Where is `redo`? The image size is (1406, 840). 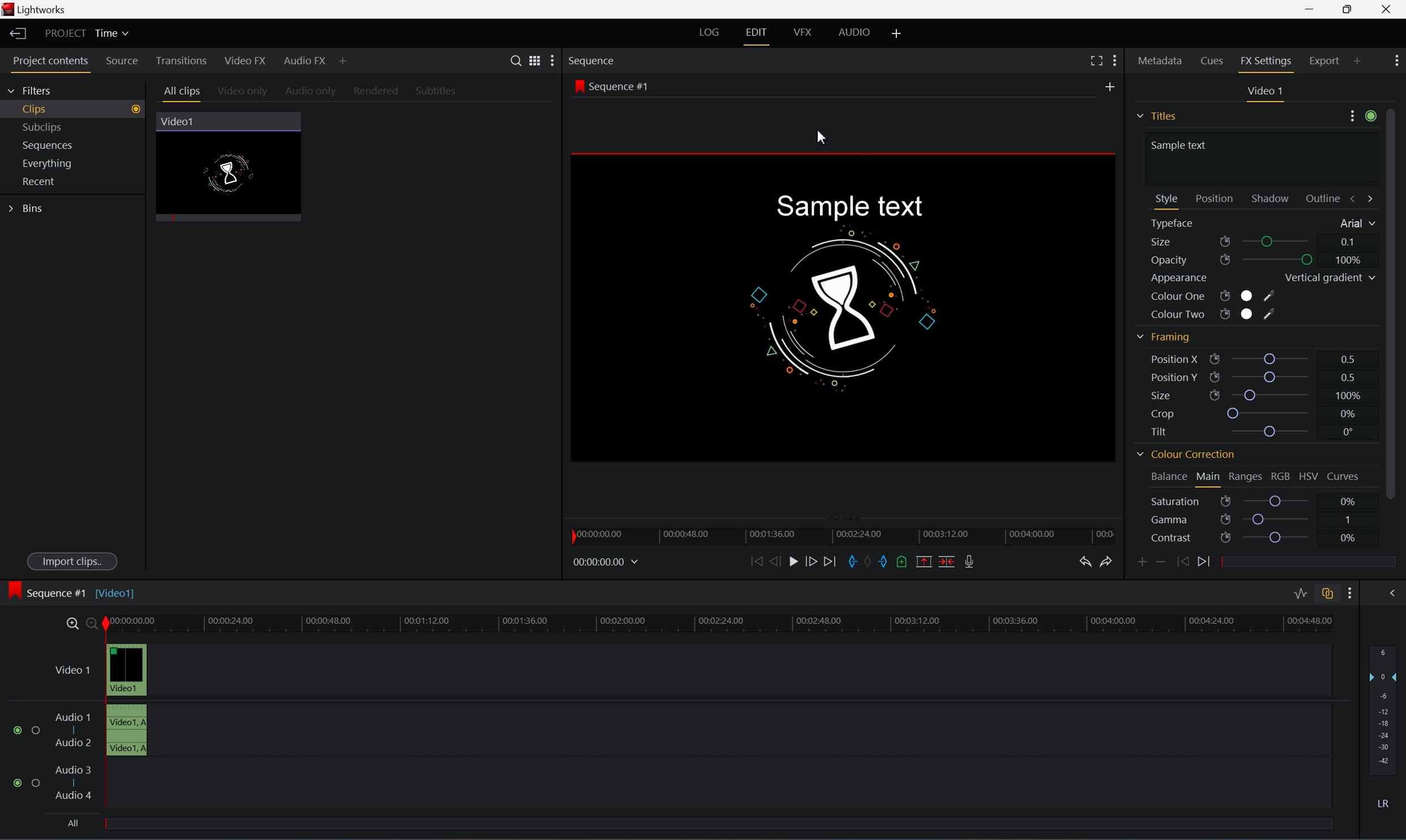
redo is located at coordinates (1109, 562).